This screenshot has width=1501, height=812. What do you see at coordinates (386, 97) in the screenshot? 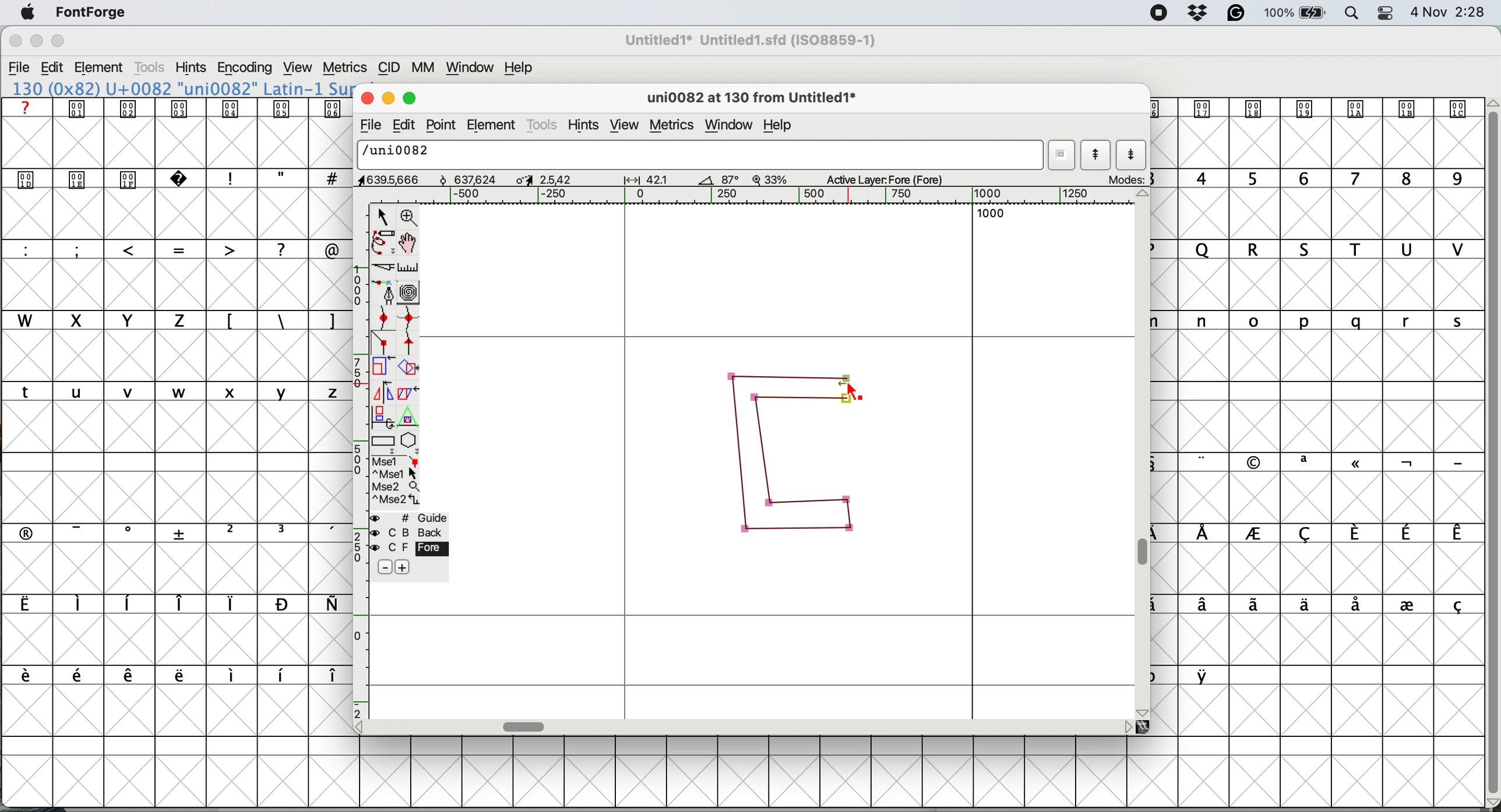
I see `minimise` at bounding box center [386, 97].